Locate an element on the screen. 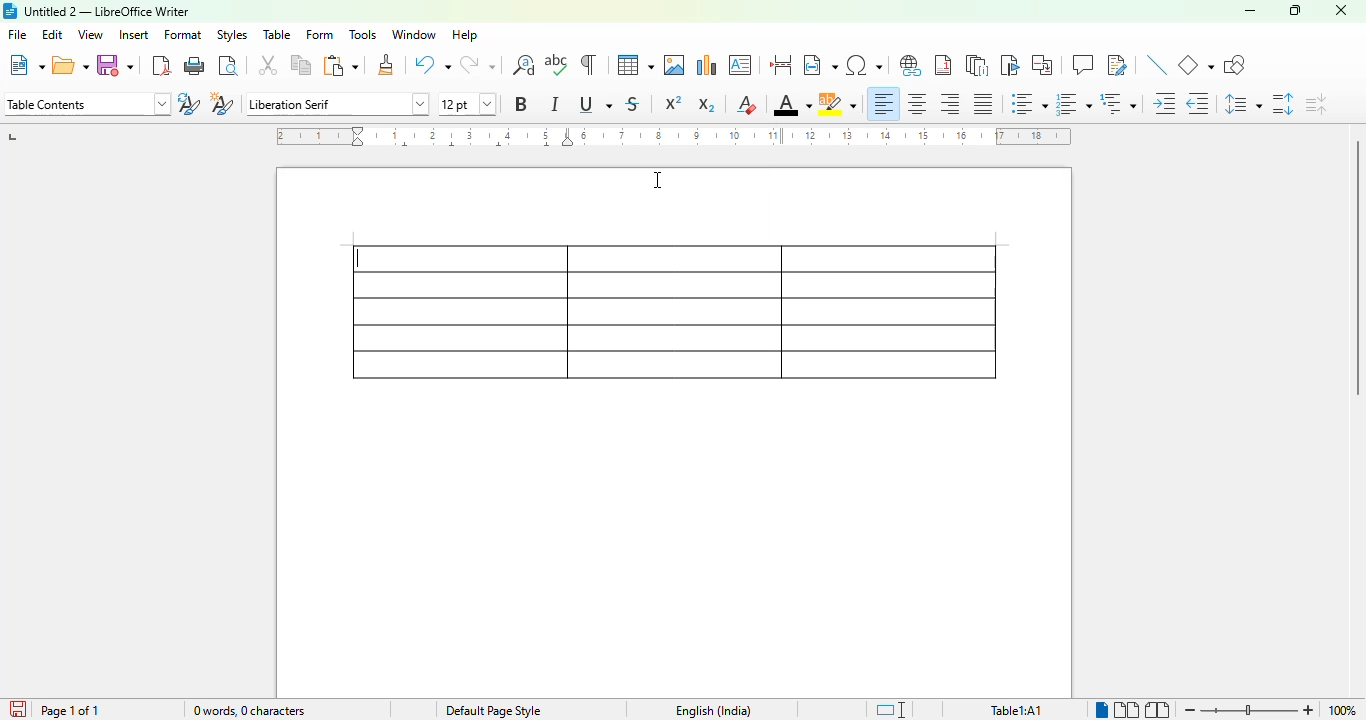 The width and height of the screenshot is (1366, 720). superscript is located at coordinates (674, 101).